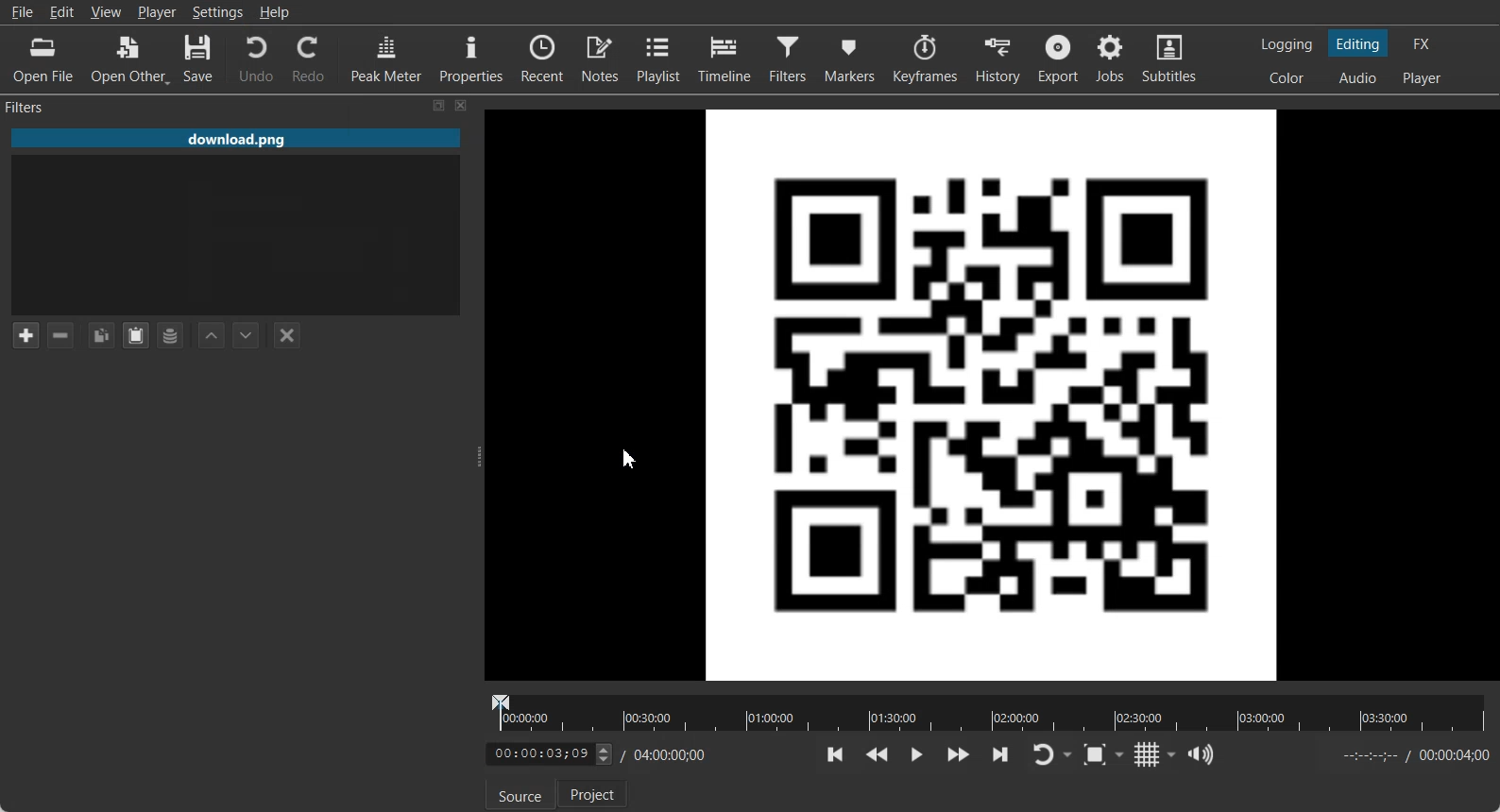 The width and height of the screenshot is (1500, 812). What do you see at coordinates (985, 713) in the screenshot?
I see `Video slider` at bounding box center [985, 713].